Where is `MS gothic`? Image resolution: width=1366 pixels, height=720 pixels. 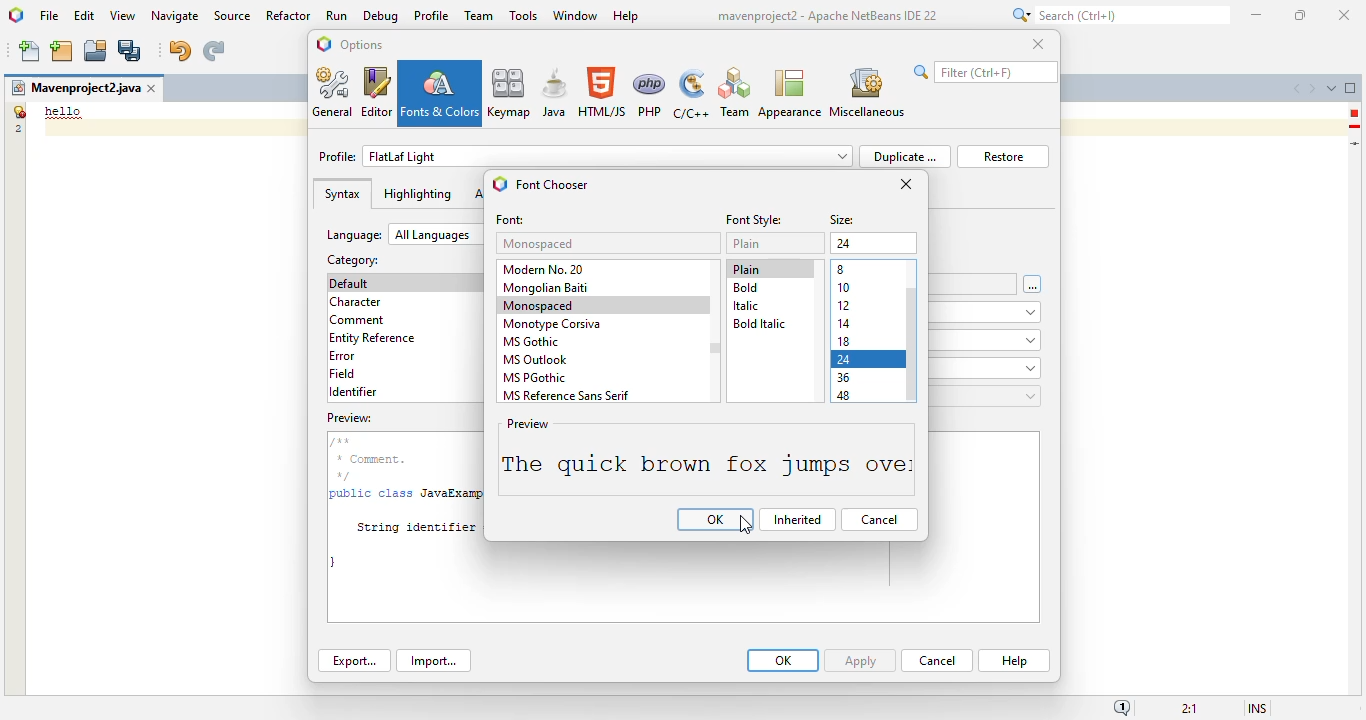 MS gothic is located at coordinates (530, 341).